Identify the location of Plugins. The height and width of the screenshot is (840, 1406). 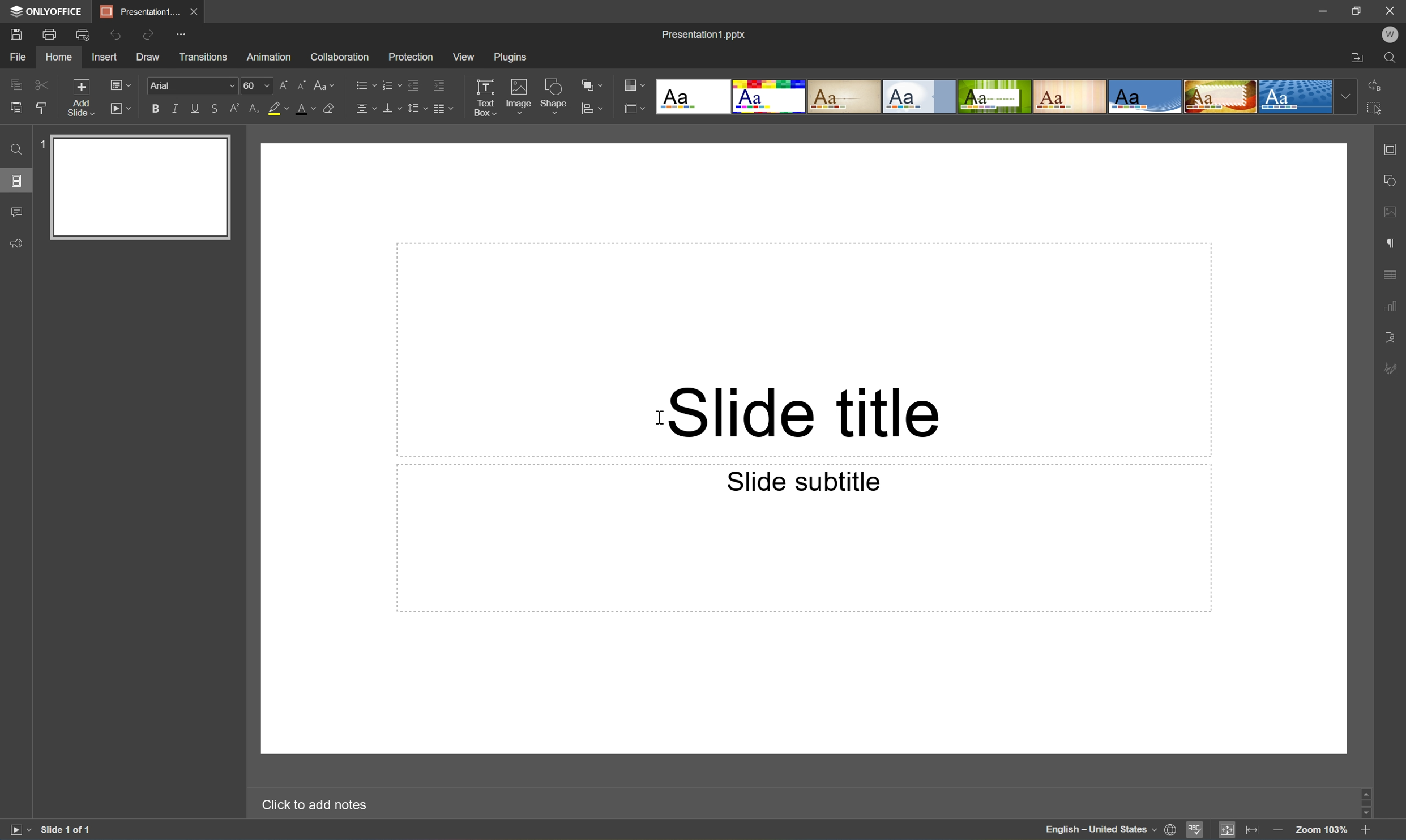
(513, 57).